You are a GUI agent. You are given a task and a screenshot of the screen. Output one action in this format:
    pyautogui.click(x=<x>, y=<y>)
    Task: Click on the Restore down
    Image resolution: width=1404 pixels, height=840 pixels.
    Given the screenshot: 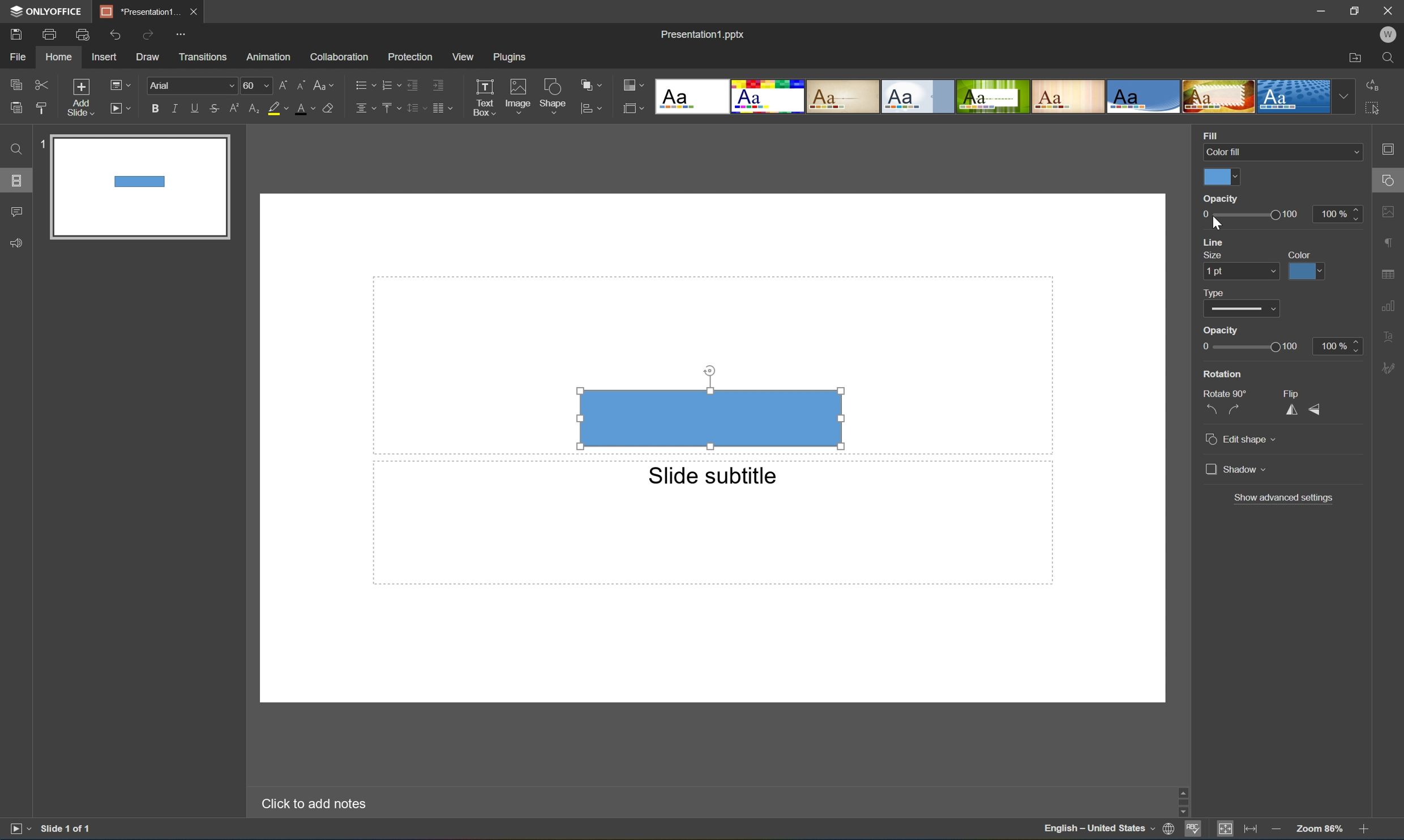 What is the action you would take?
    pyautogui.click(x=1352, y=11)
    